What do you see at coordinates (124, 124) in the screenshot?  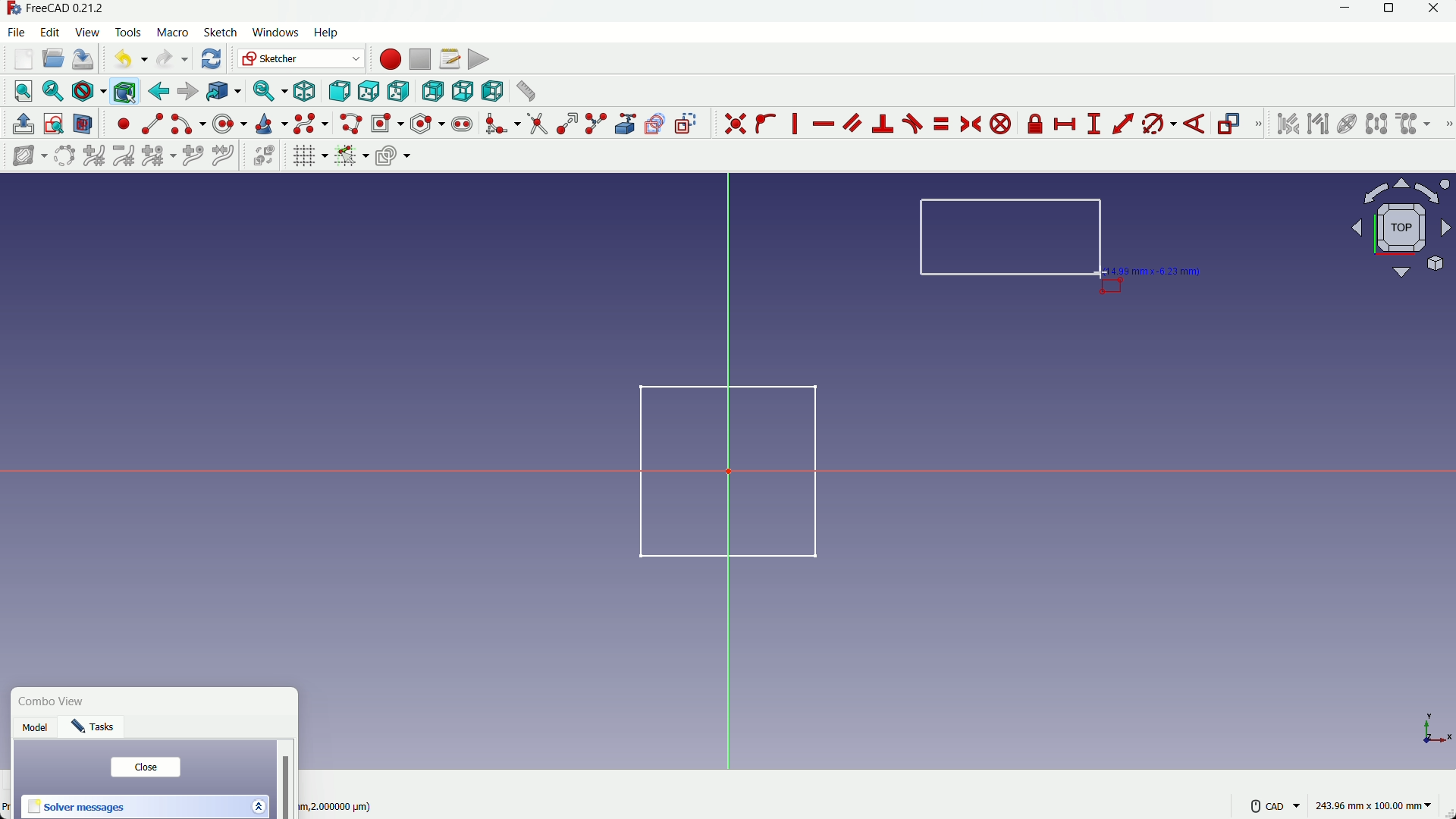 I see `create point` at bounding box center [124, 124].